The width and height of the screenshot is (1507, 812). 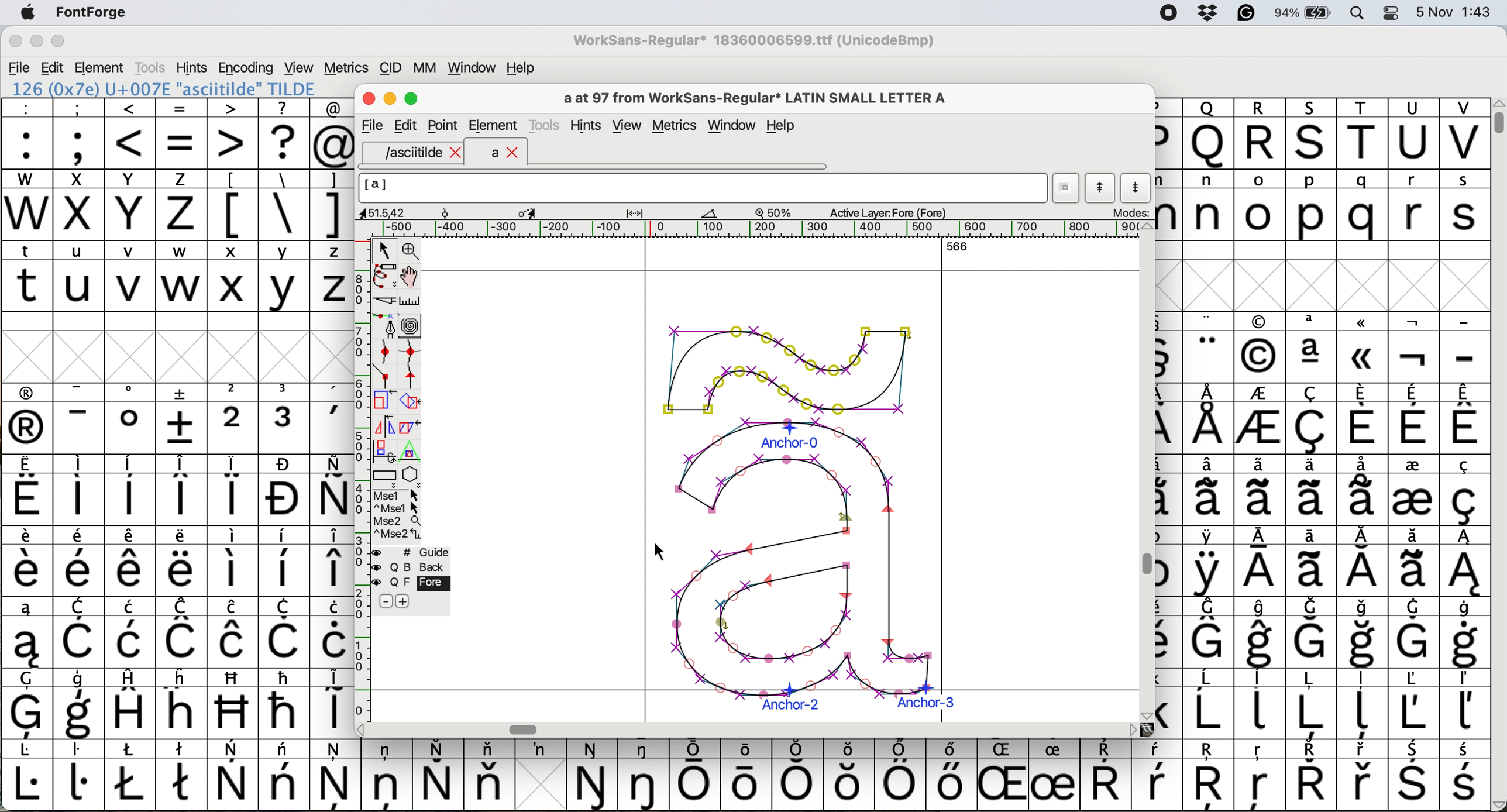 What do you see at coordinates (79, 132) in the screenshot?
I see `;` at bounding box center [79, 132].